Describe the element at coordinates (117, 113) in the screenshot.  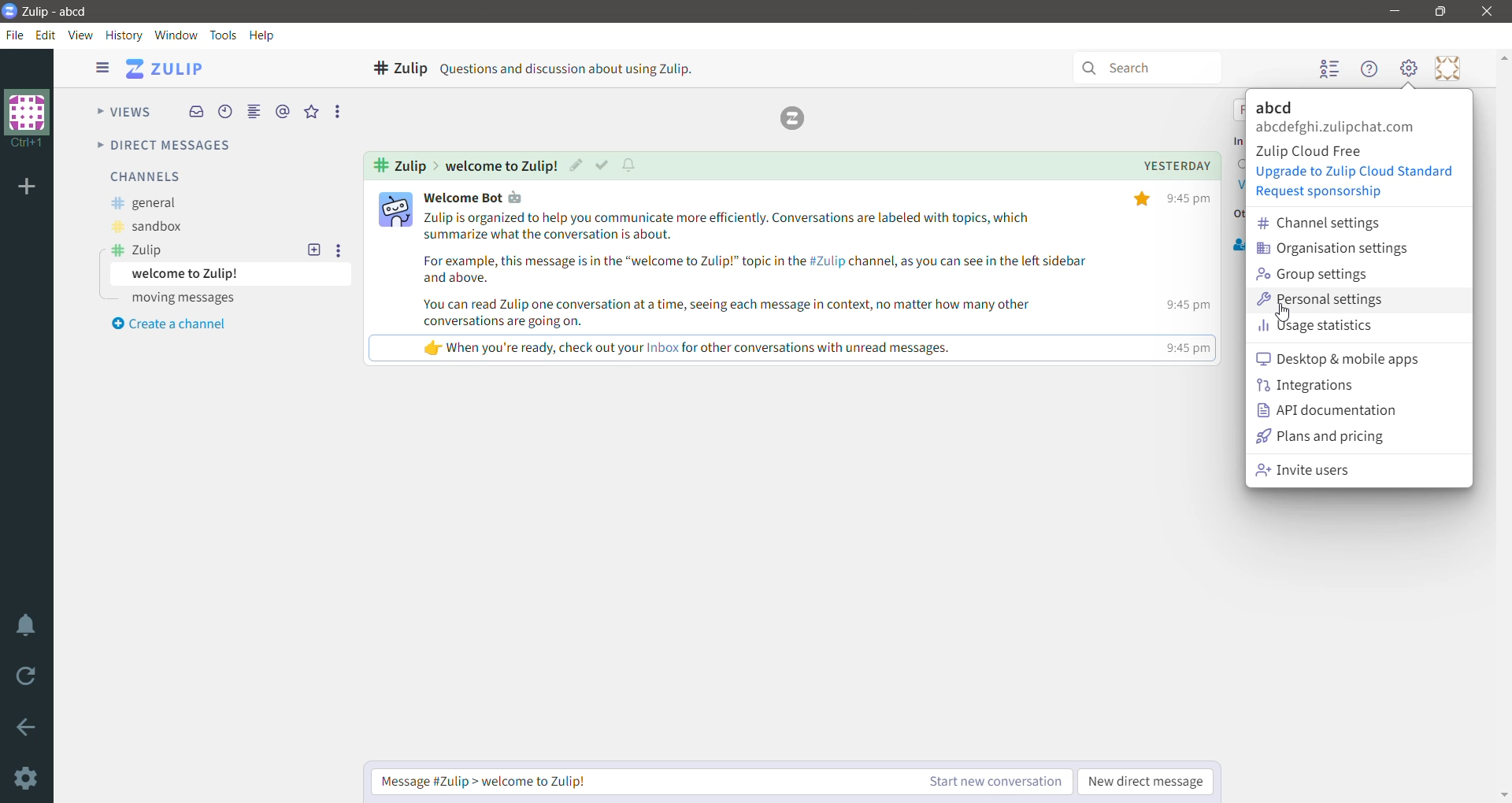
I see `Views` at that location.